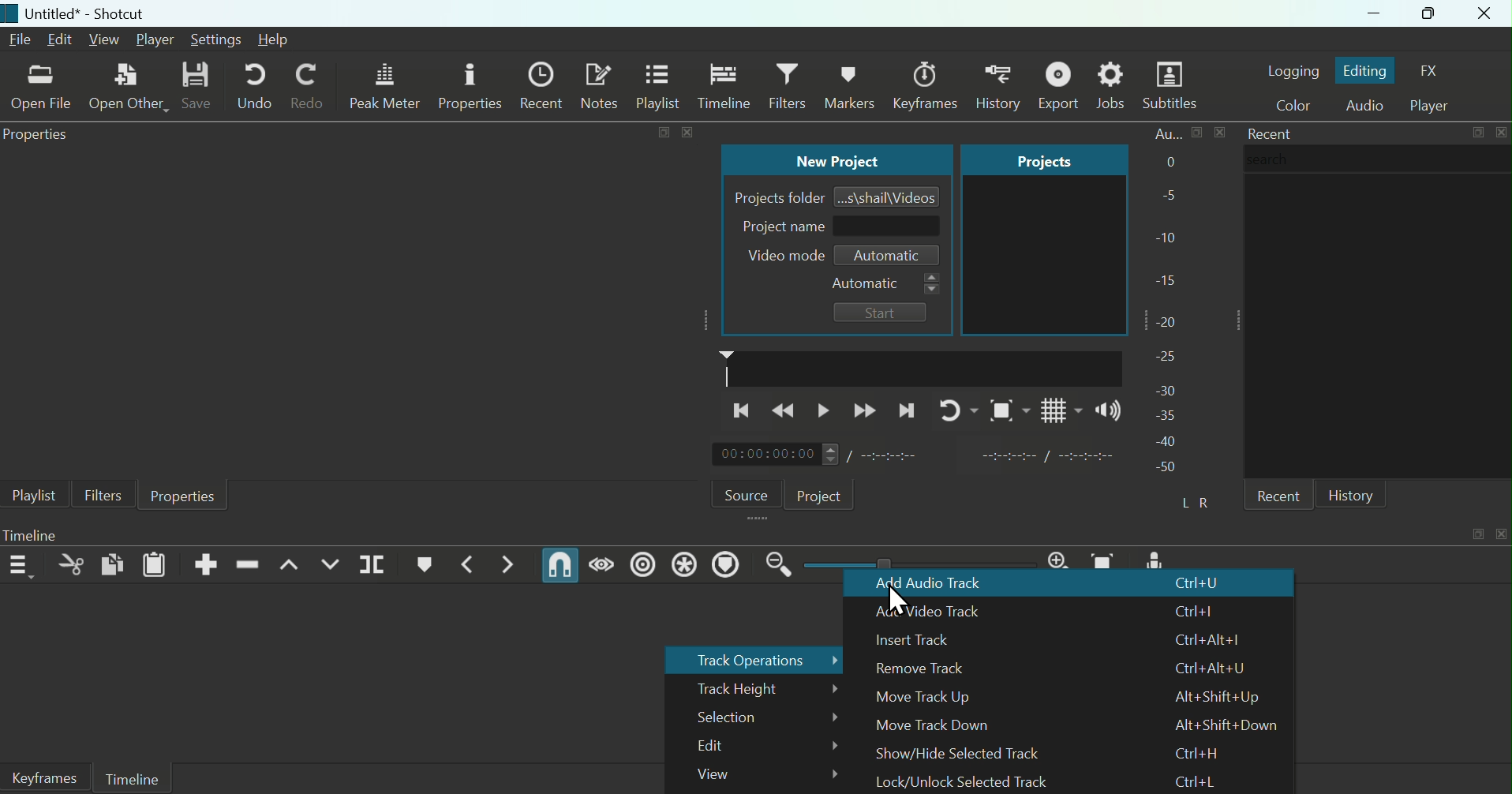 The height and width of the screenshot is (794, 1512). I want to click on recent, so click(1277, 495).